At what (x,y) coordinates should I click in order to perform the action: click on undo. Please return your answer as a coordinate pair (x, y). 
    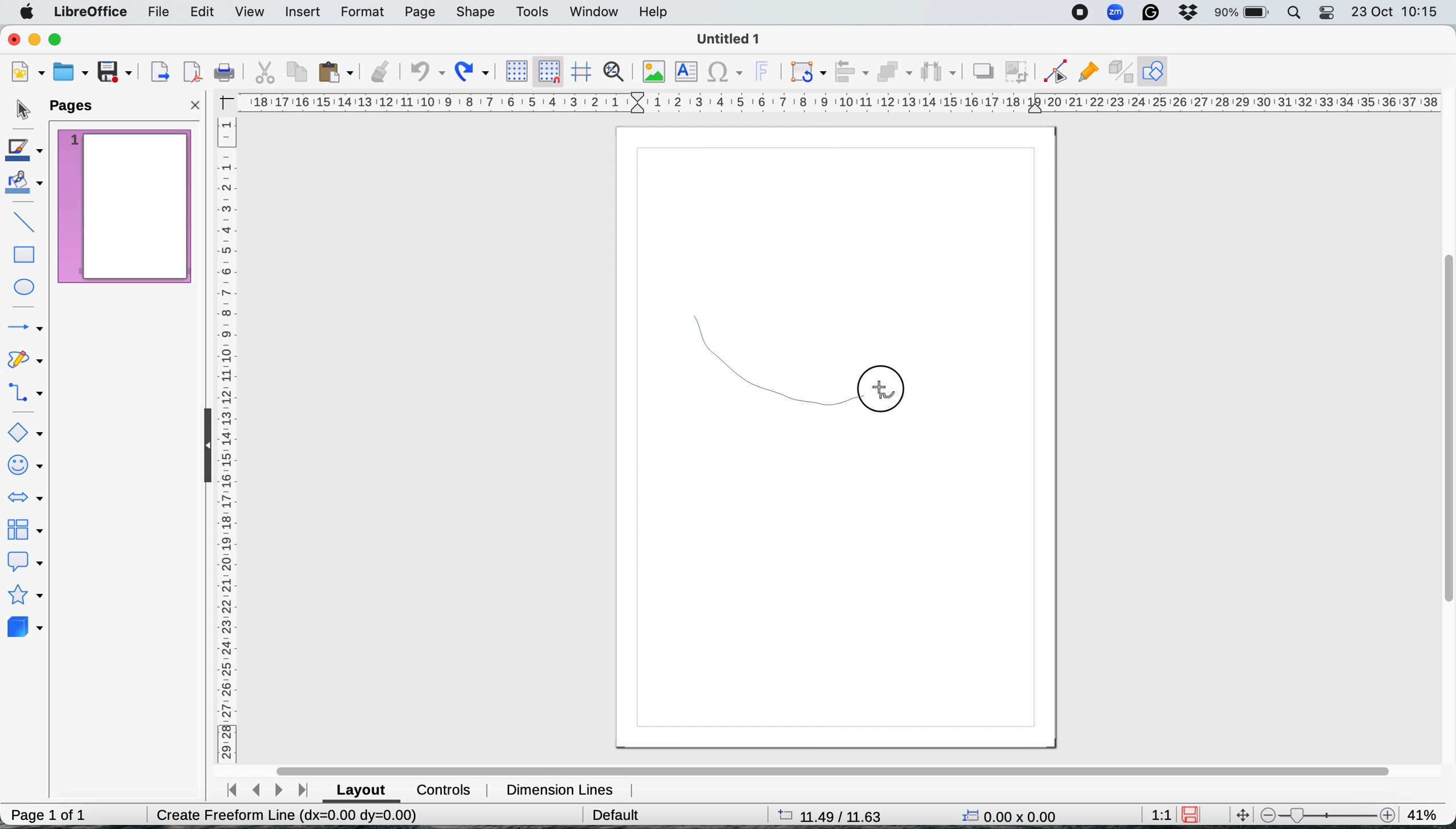
    Looking at the image, I should click on (427, 73).